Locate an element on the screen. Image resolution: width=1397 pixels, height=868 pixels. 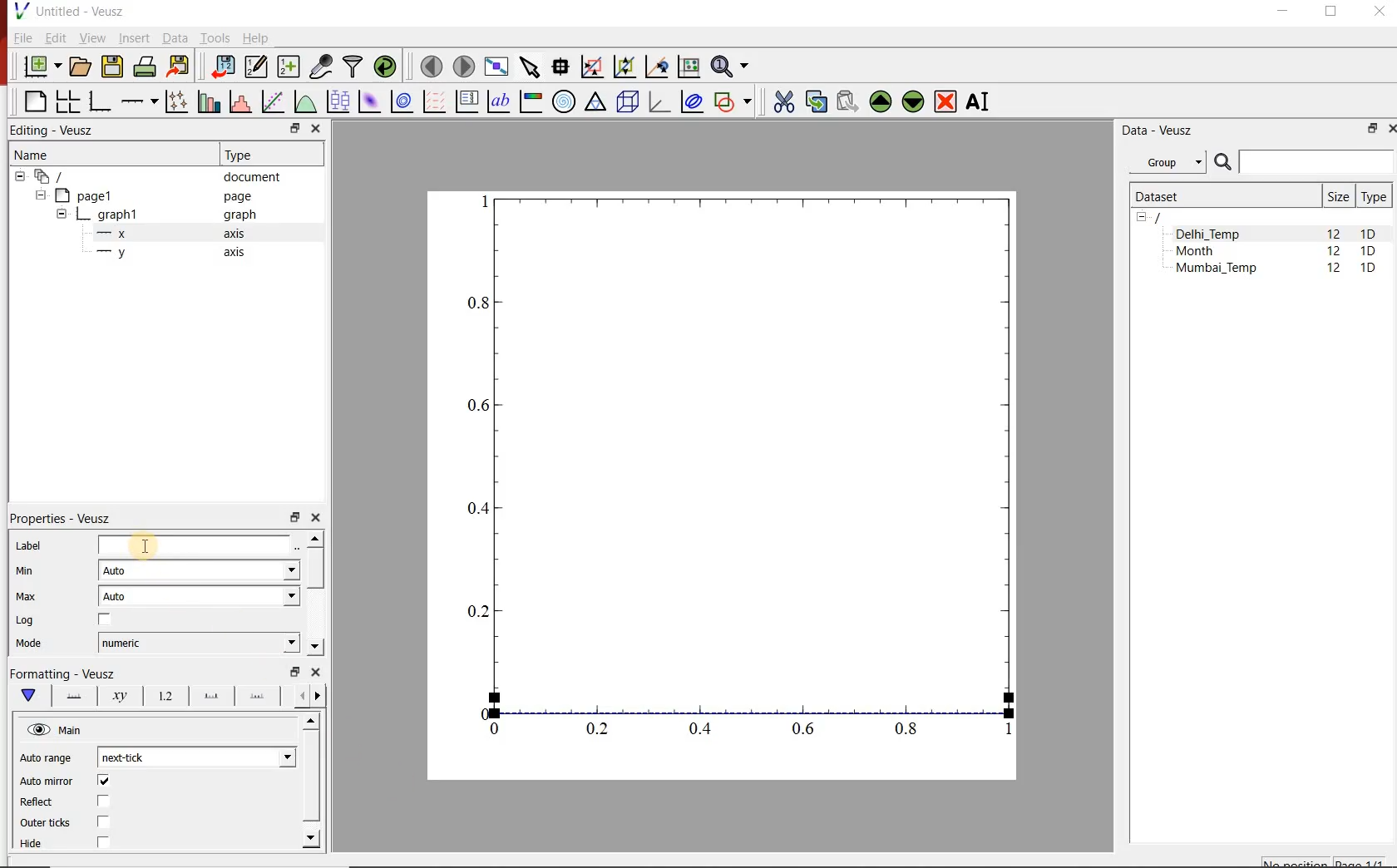
Size is located at coordinates (1338, 196).